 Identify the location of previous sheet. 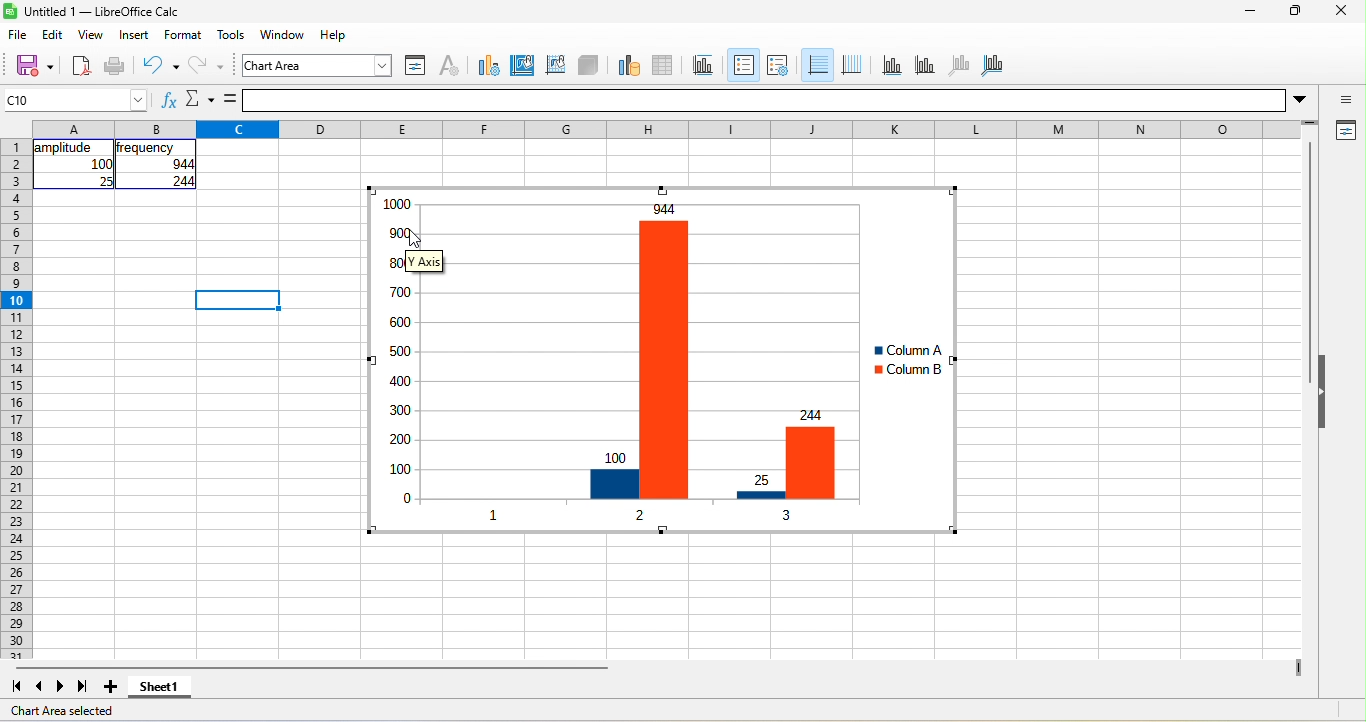
(35, 687).